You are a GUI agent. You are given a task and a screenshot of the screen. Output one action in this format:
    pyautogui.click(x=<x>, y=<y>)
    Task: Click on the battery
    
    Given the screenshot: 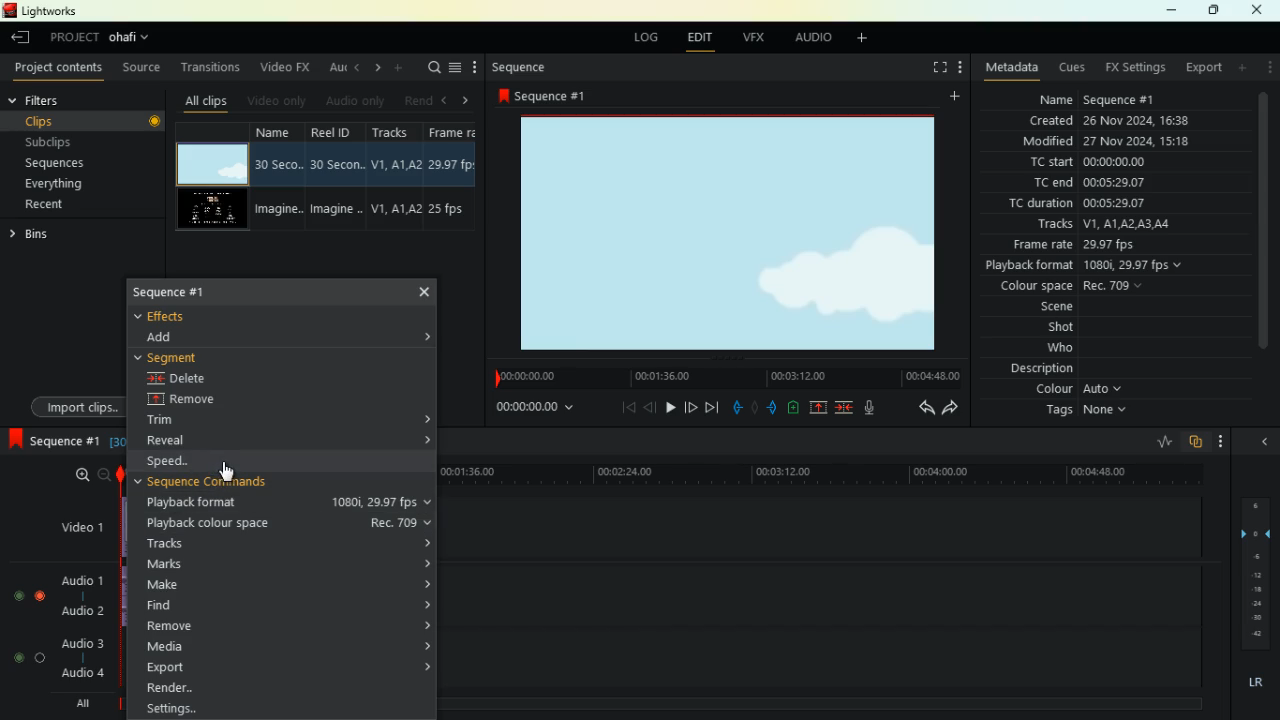 What is the action you would take?
    pyautogui.click(x=792, y=409)
    